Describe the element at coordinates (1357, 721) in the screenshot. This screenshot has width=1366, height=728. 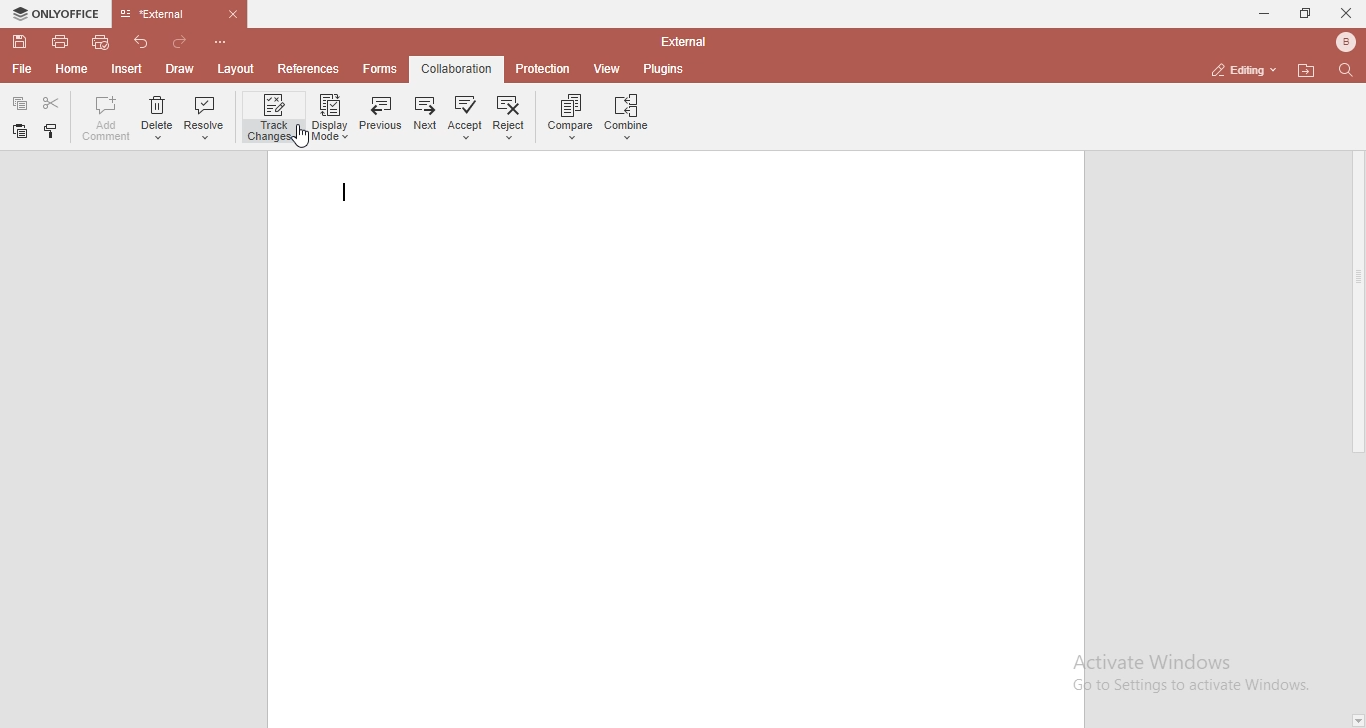
I see `page down` at that location.